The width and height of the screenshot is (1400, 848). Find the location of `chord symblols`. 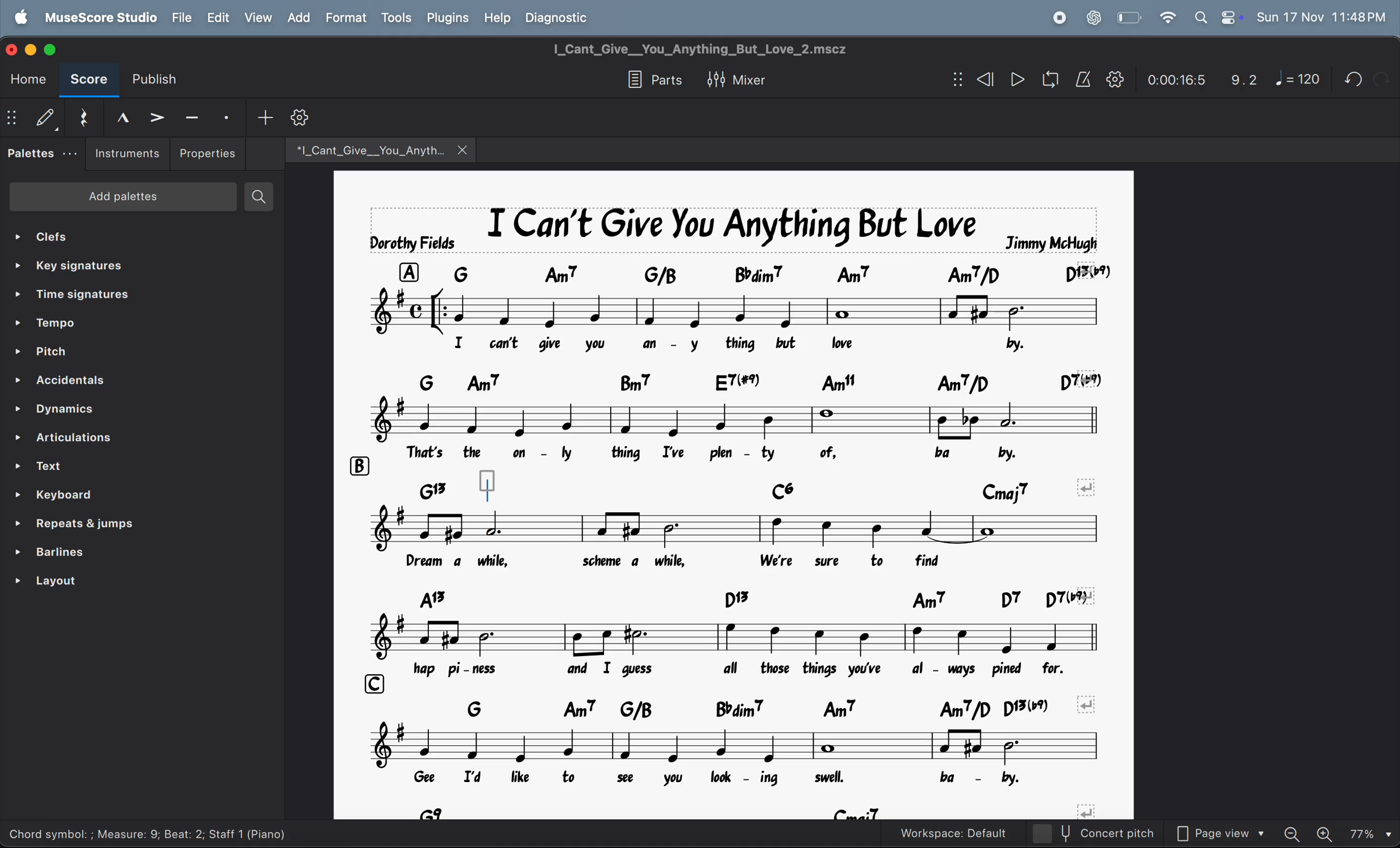

chord symblols is located at coordinates (721, 491).